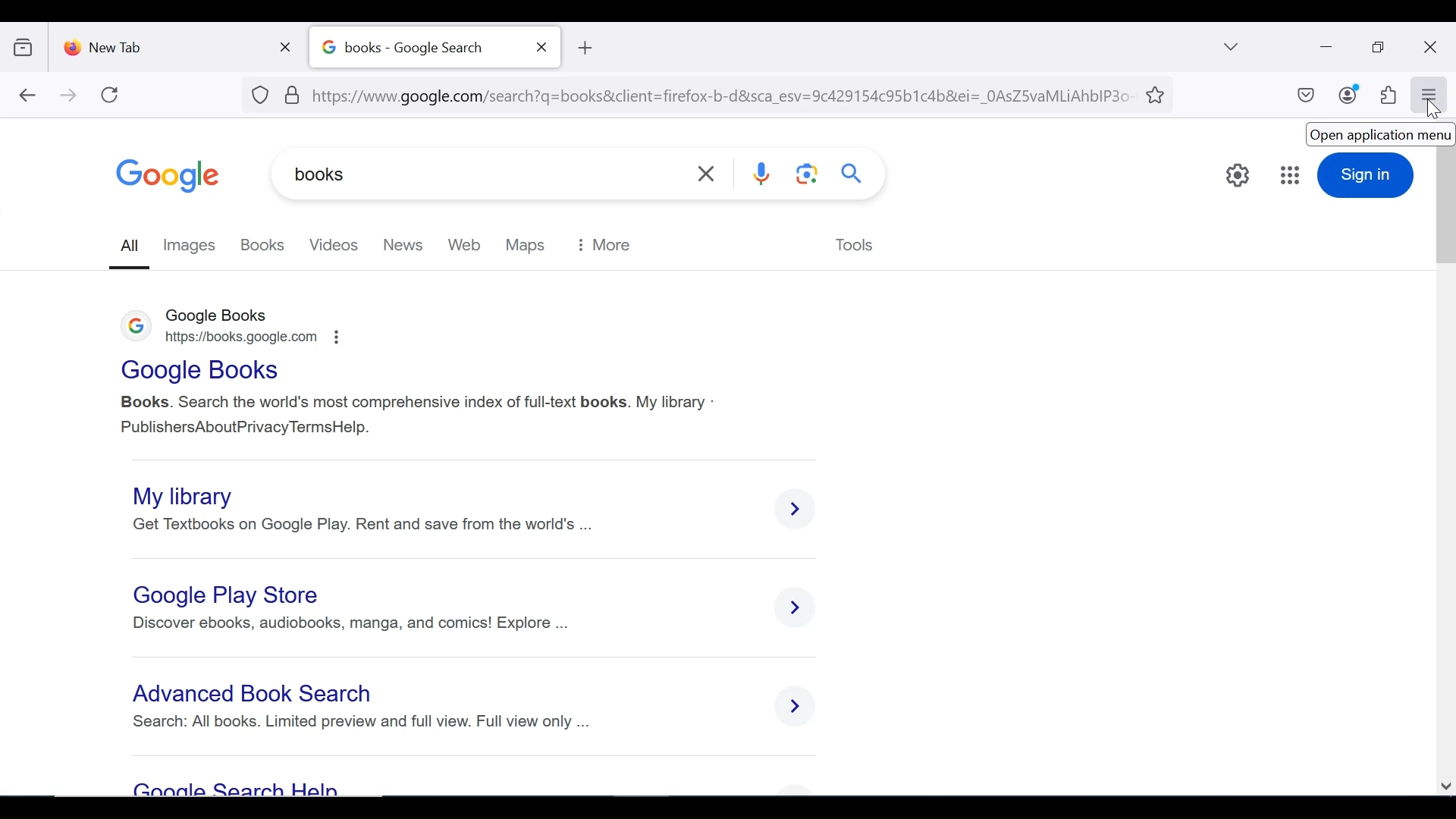 Image resolution: width=1456 pixels, height=819 pixels. Describe the element at coordinates (1291, 176) in the screenshot. I see `google apps` at that location.